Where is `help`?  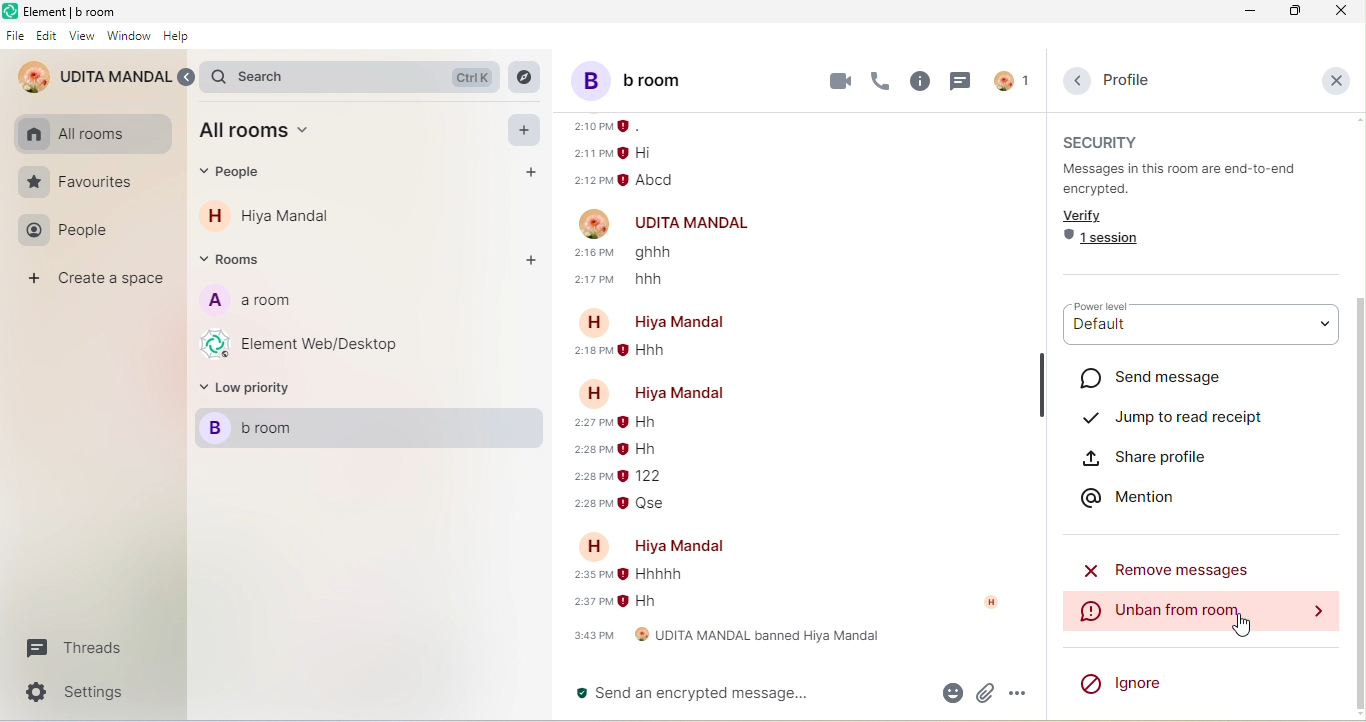
help is located at coordinates (175, 37).